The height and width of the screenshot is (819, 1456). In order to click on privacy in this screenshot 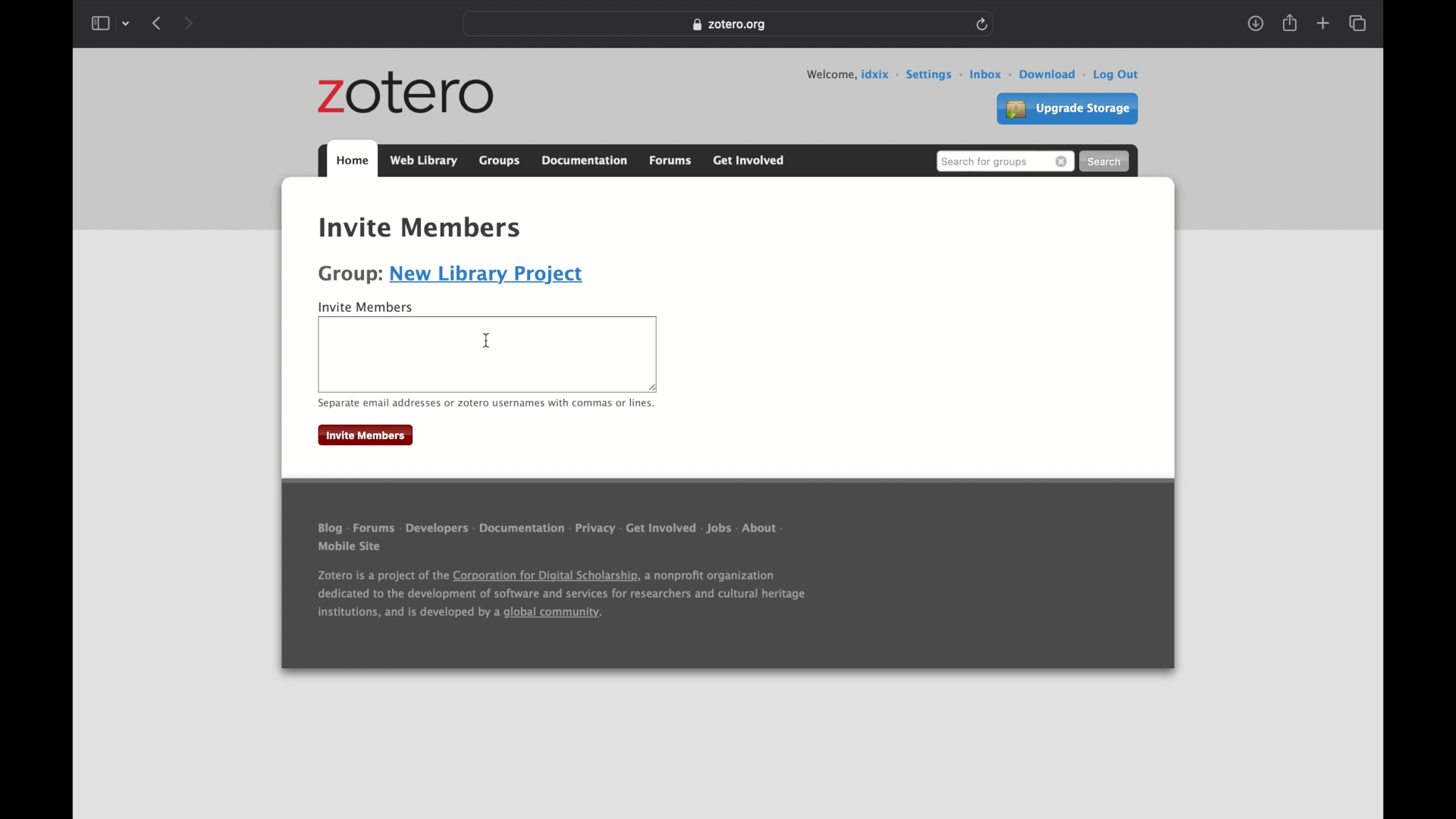, I will do `click(595, 528)`.